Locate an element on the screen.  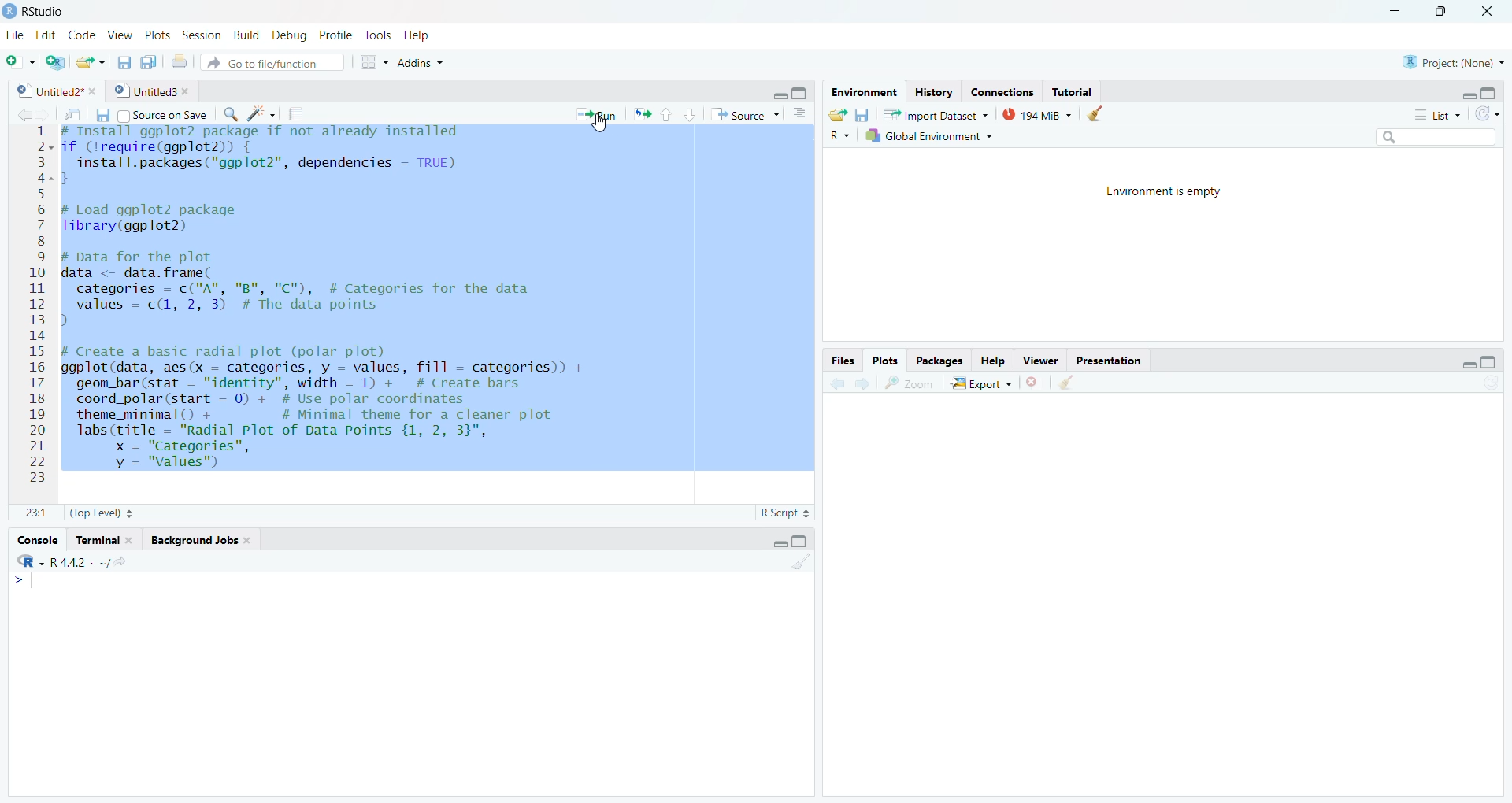
Terminal is located at coordinates (106, 542).